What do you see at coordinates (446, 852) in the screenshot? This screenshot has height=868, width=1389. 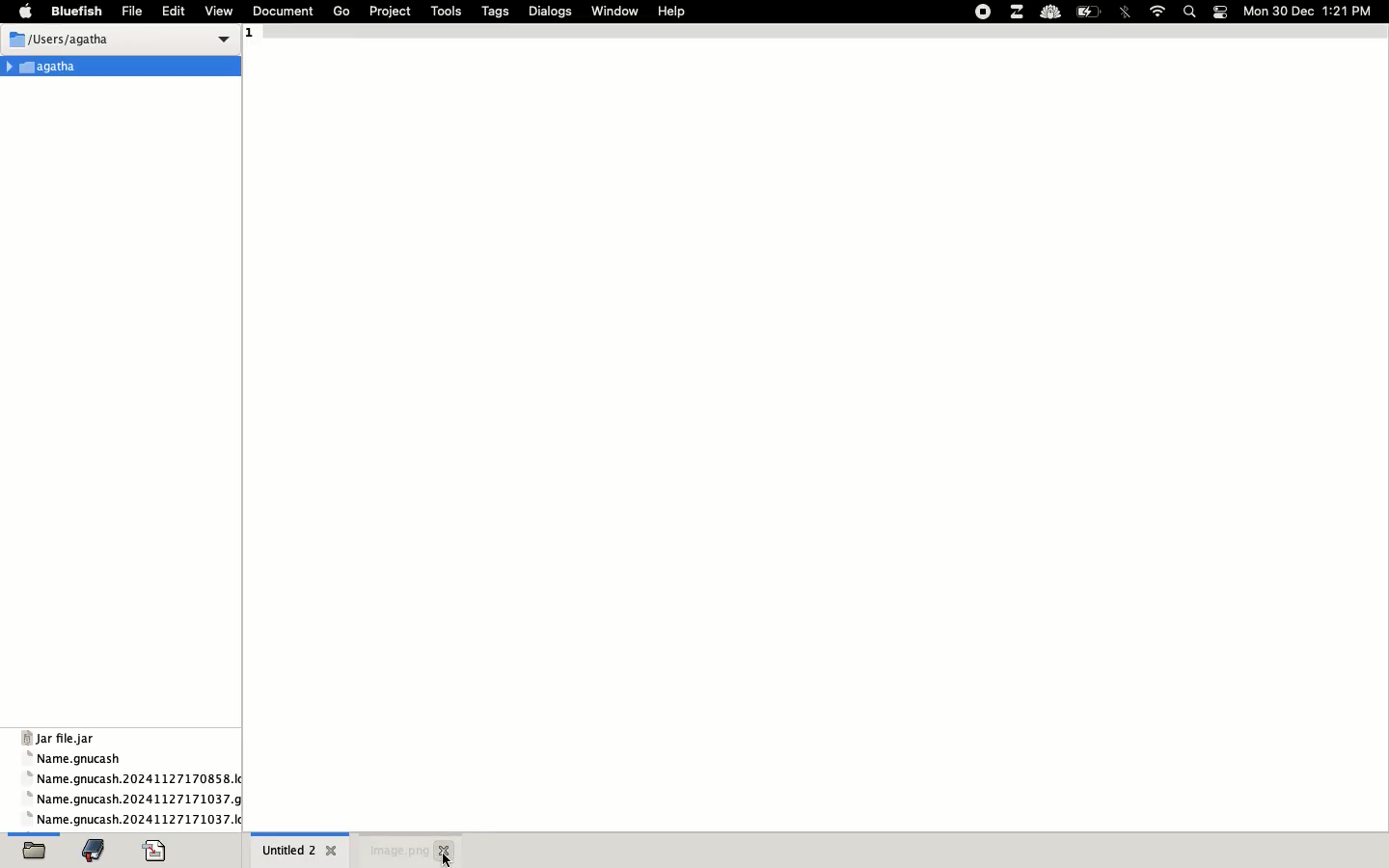 I see `close` at bounding box center [446, 852].